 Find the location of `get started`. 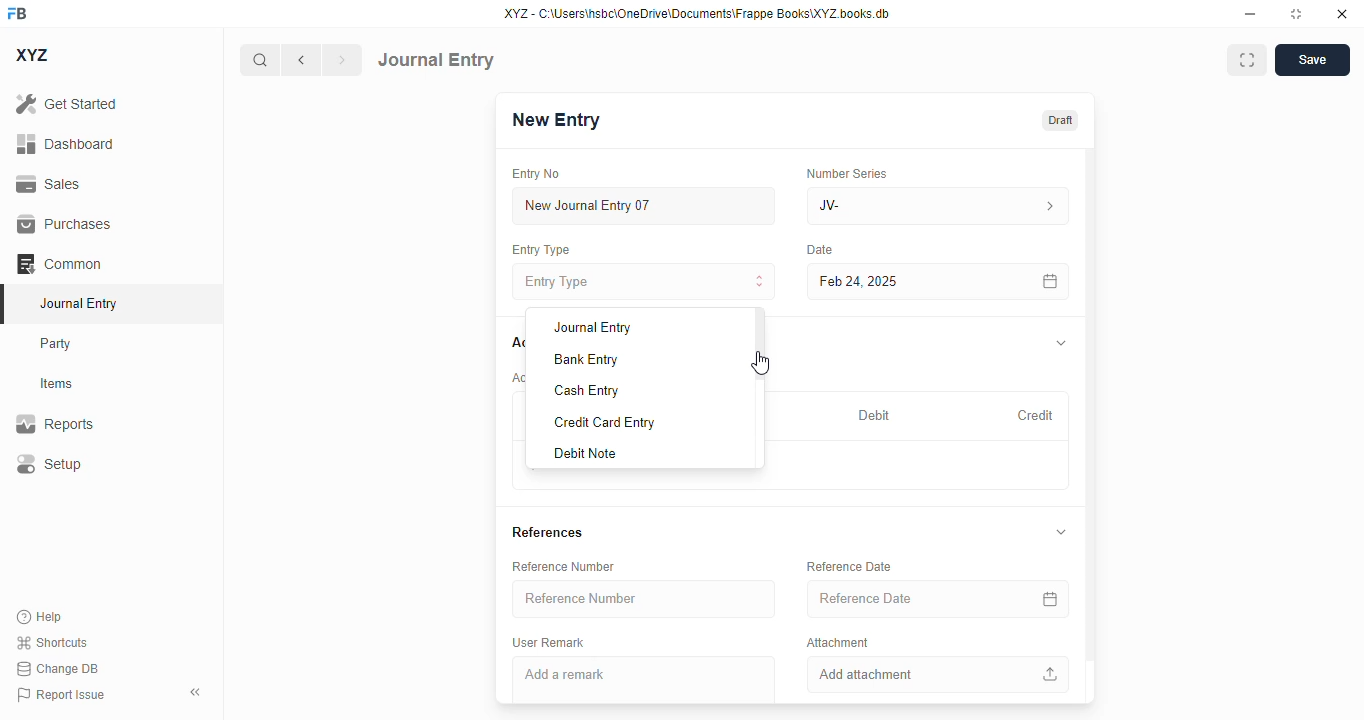

get started is located at coordinates (67, 104).